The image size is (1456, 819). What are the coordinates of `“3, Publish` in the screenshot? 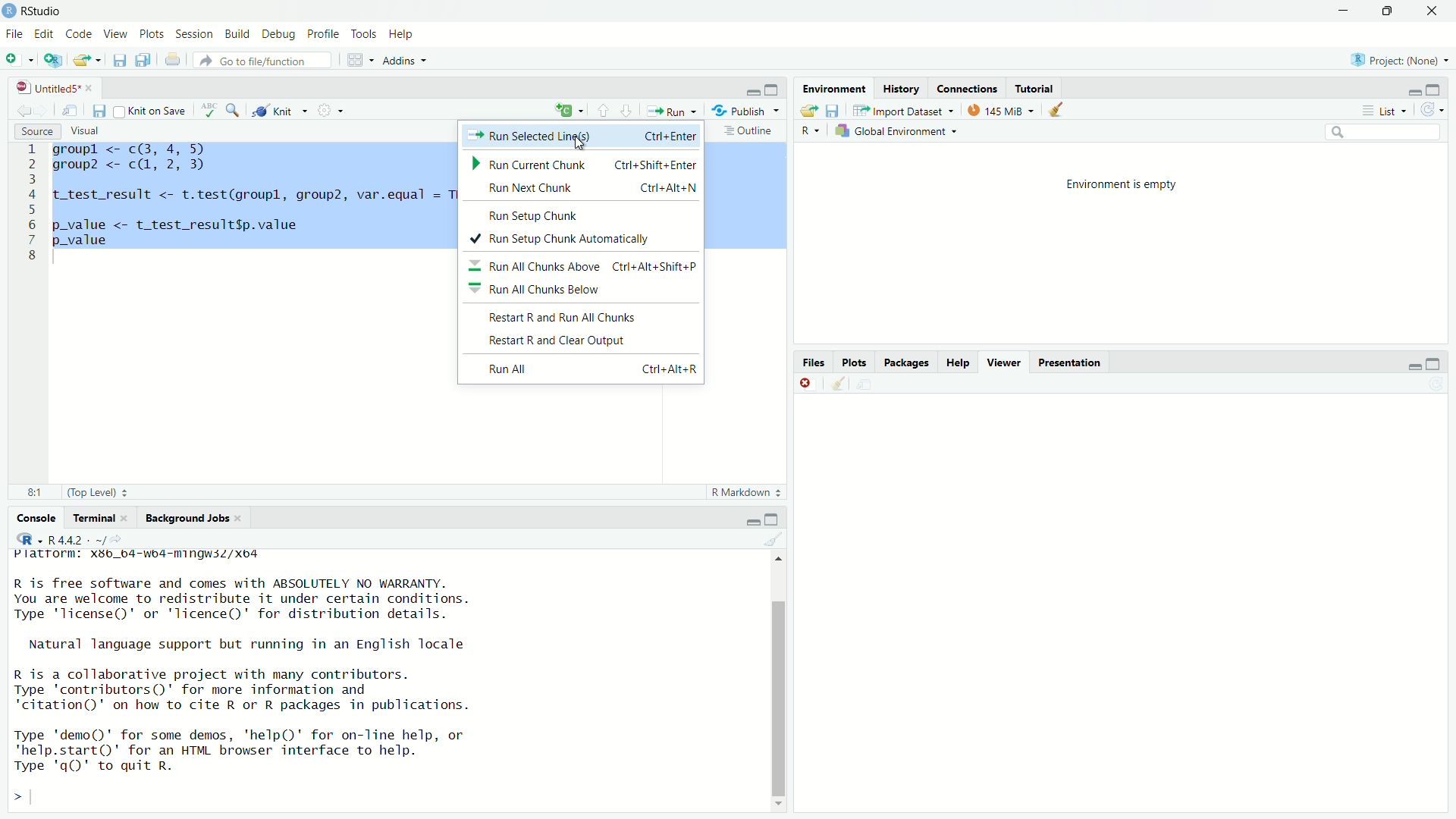 It's located at (739, 108).